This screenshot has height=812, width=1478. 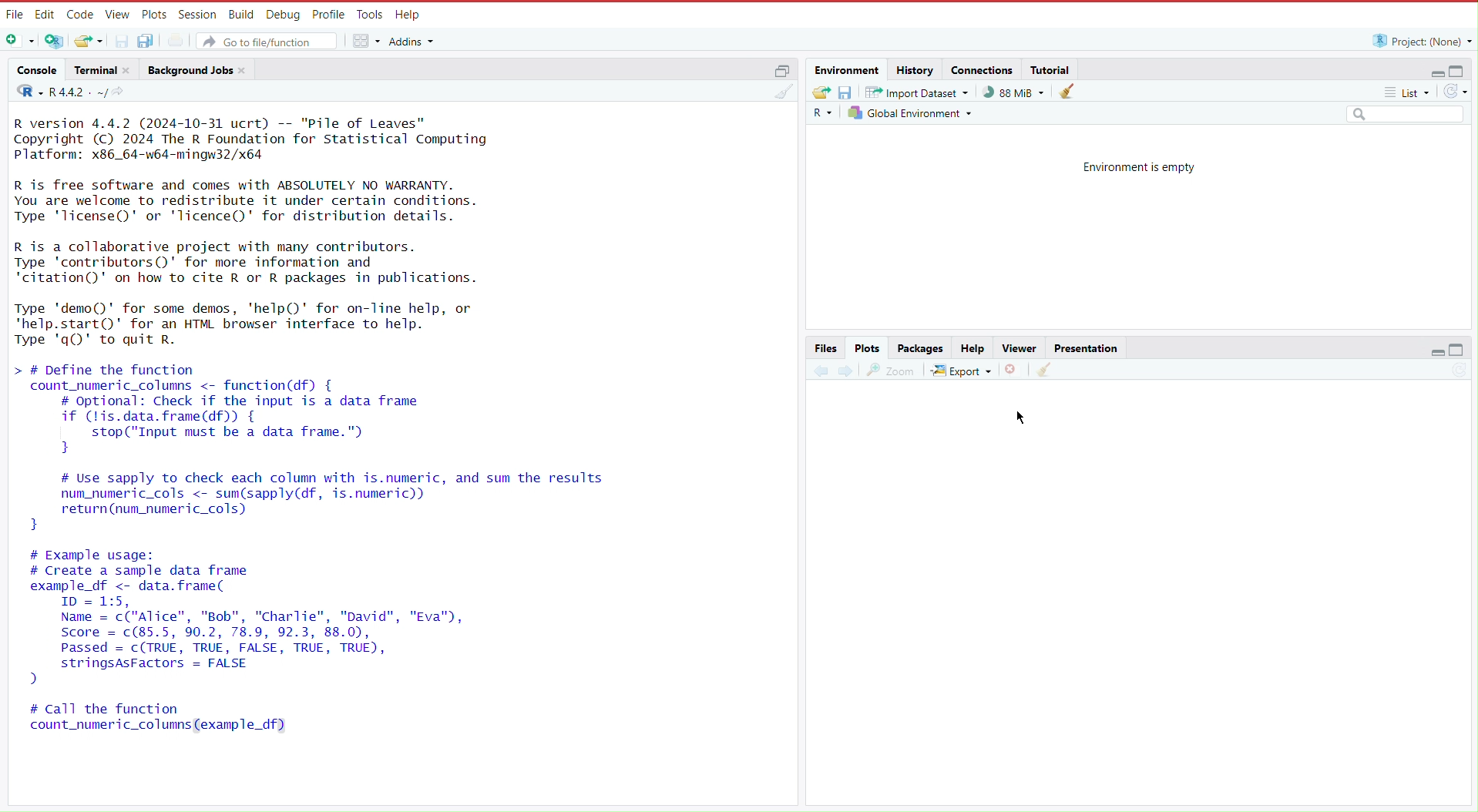 What do you see at coordinates (827, 347) in the screenshot?
I see `Files` at bounding box center [827, 347].